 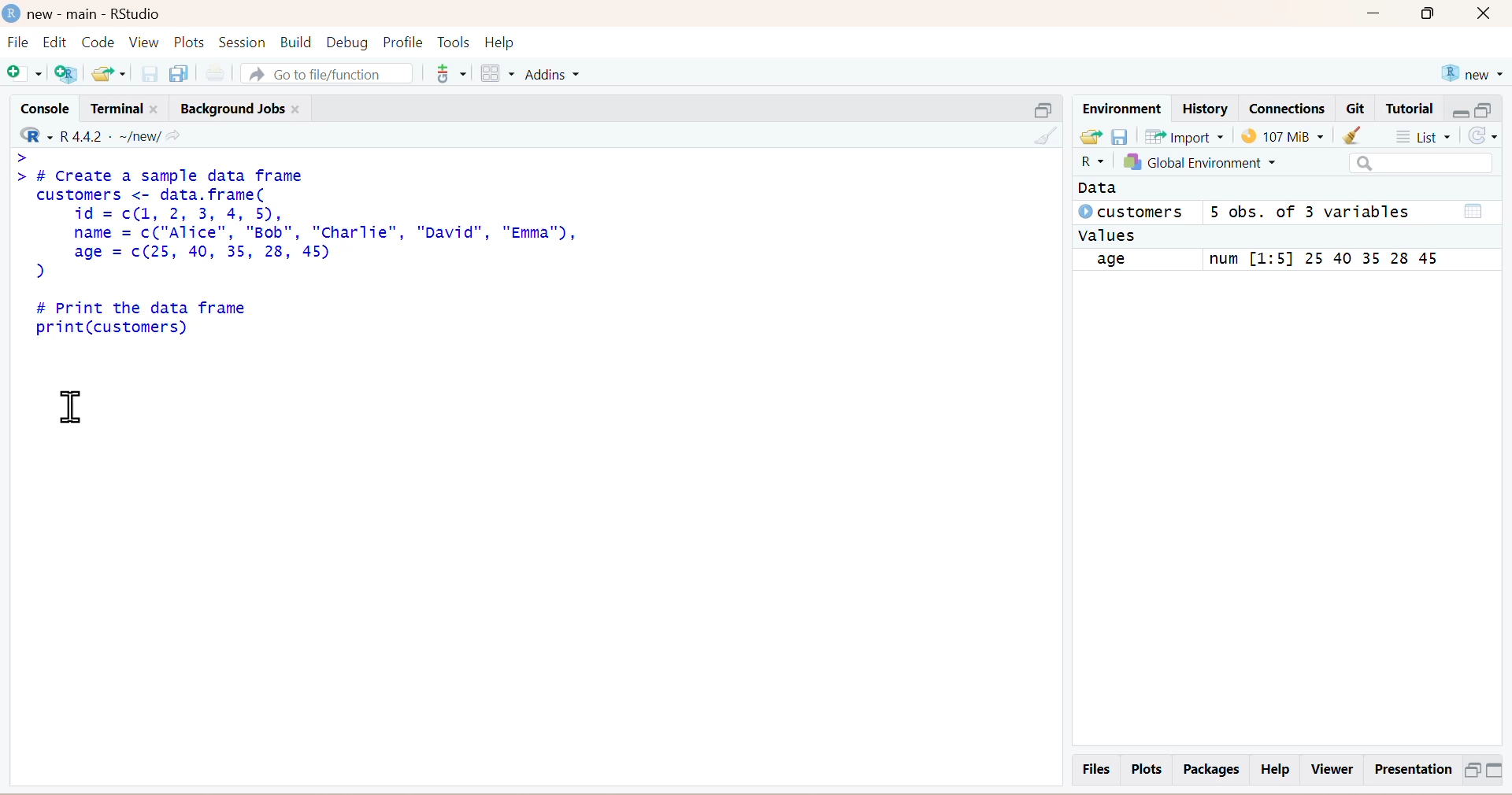 What do you see at coordinates (1357, 109) in the screenshot?
I see `Git` at bounding box center [1357, 109].